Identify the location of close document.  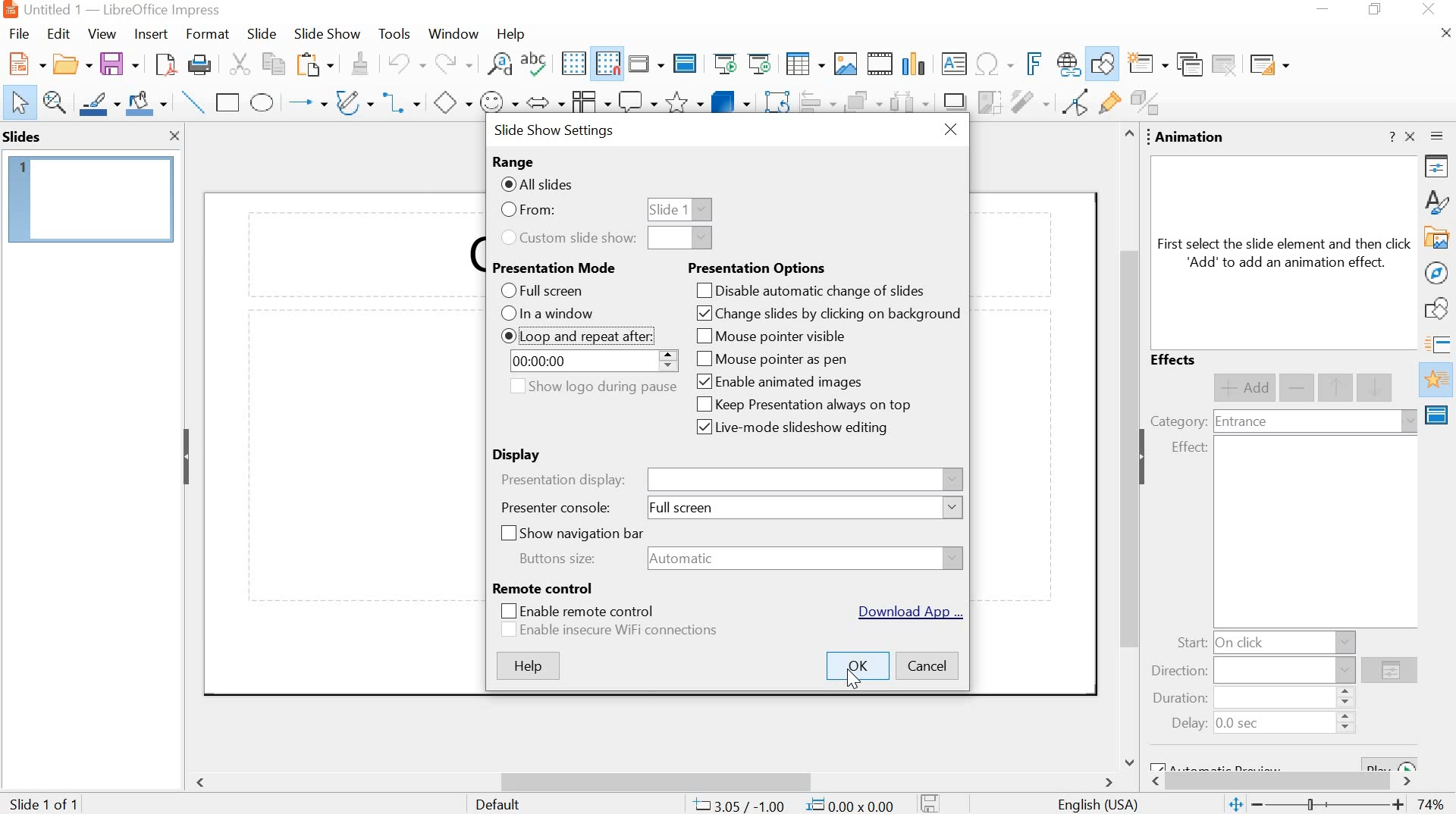
(1447, 33).